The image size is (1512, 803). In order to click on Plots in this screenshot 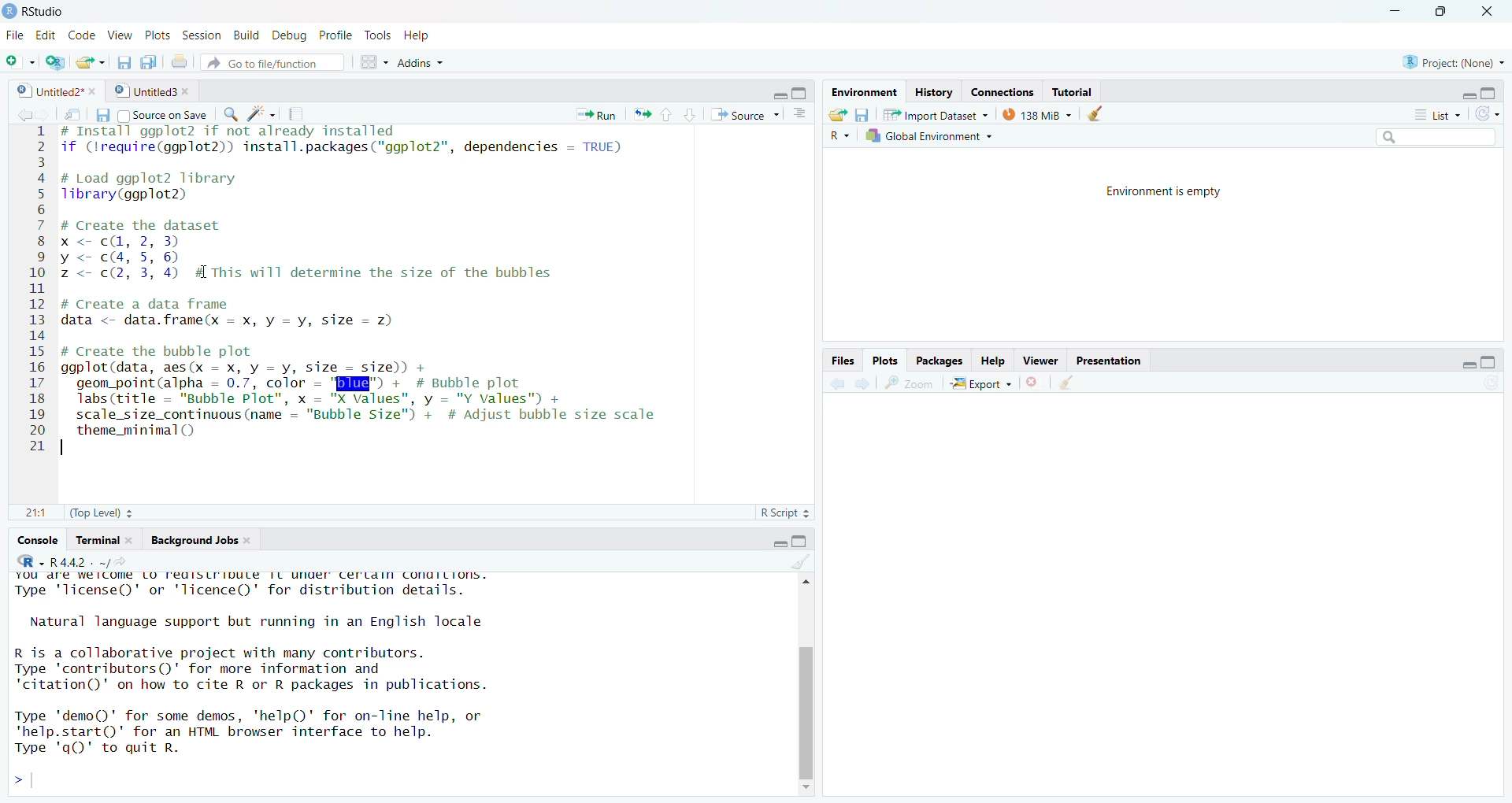, I will do `click(158, 35)`.